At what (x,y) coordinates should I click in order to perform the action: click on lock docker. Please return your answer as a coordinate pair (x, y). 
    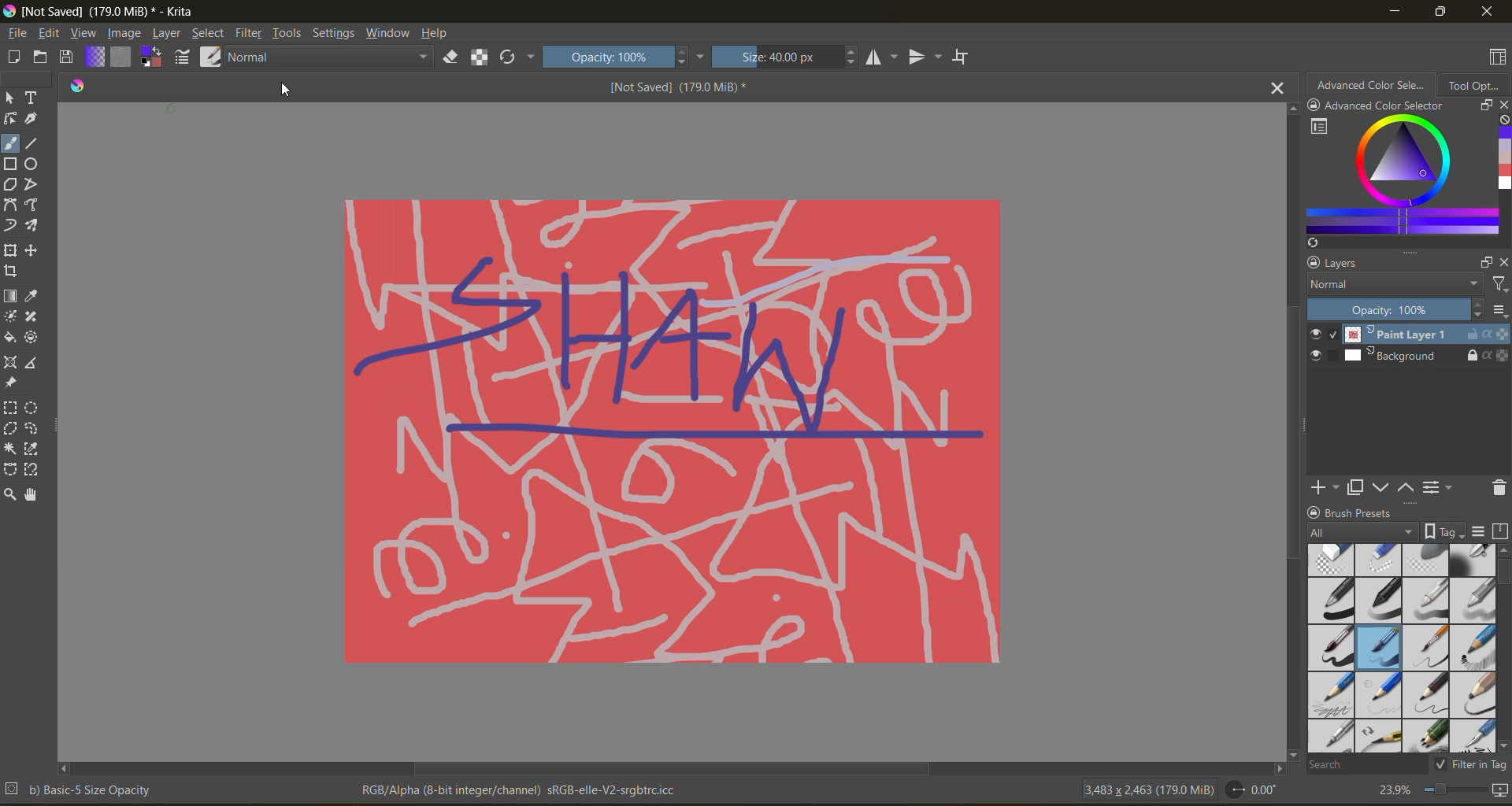
    Looking at the image, I should click on (1312, 264).